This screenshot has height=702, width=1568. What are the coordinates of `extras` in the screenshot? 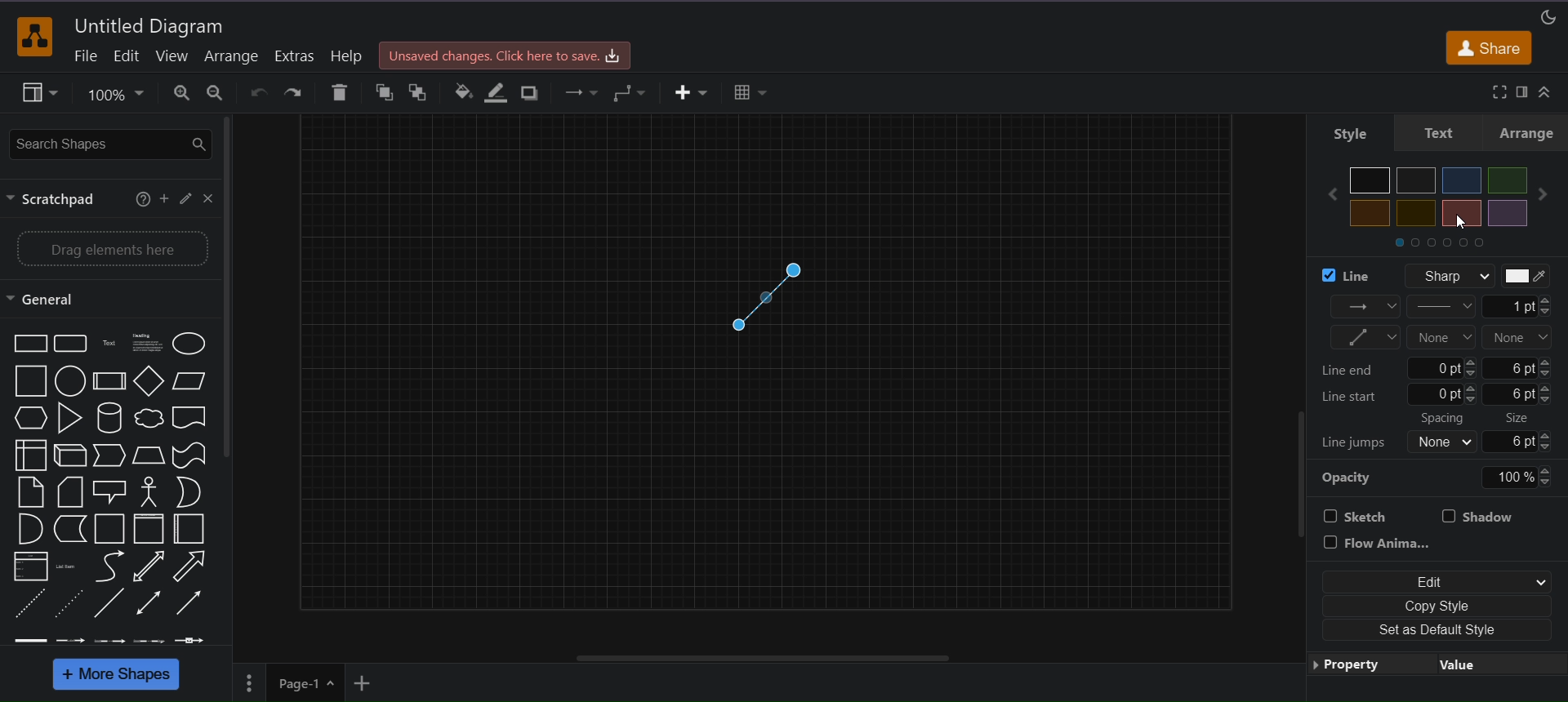 It's located at (295, 56).